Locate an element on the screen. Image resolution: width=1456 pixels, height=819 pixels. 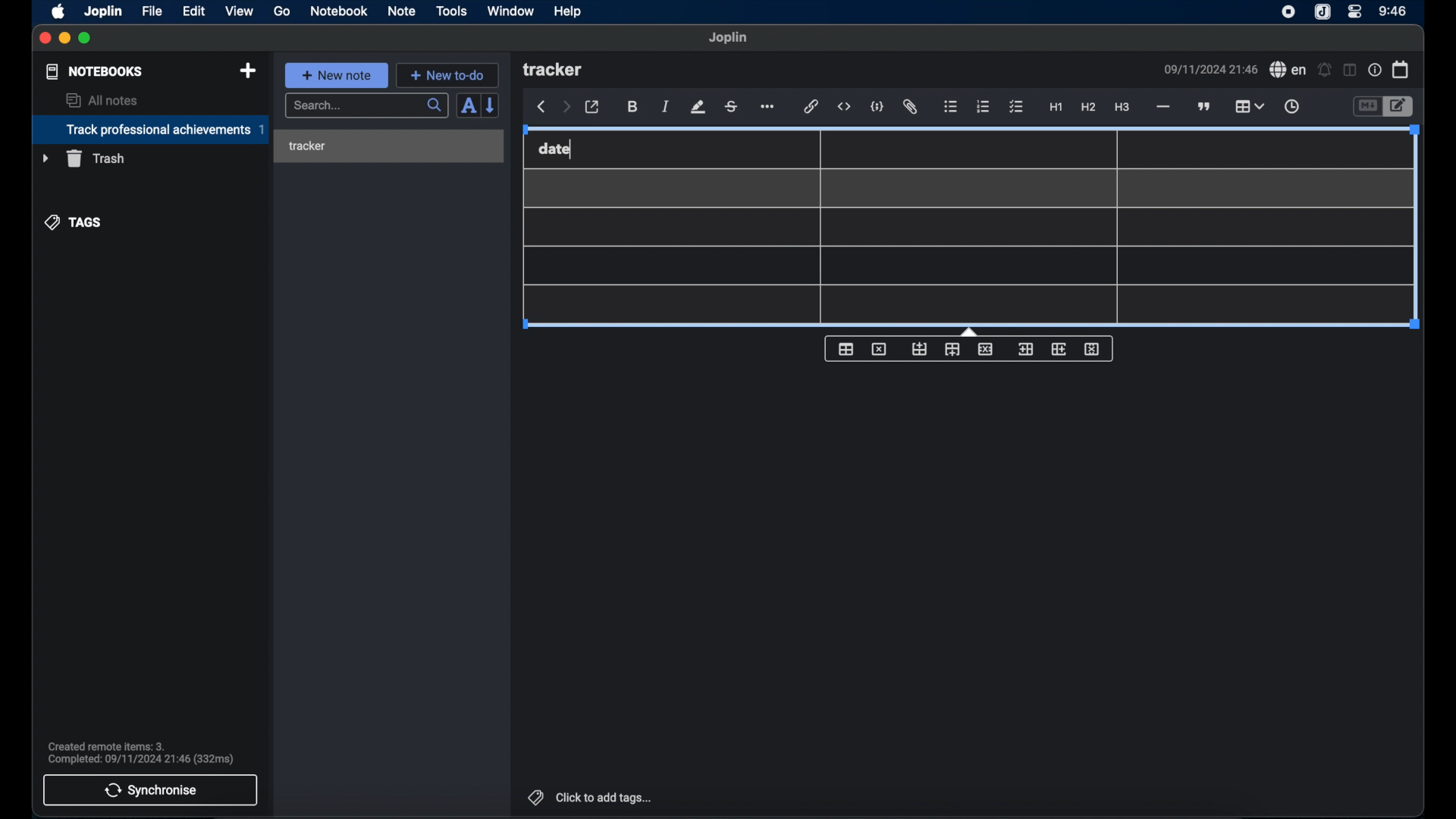
go is located at coordinates (283, 11).